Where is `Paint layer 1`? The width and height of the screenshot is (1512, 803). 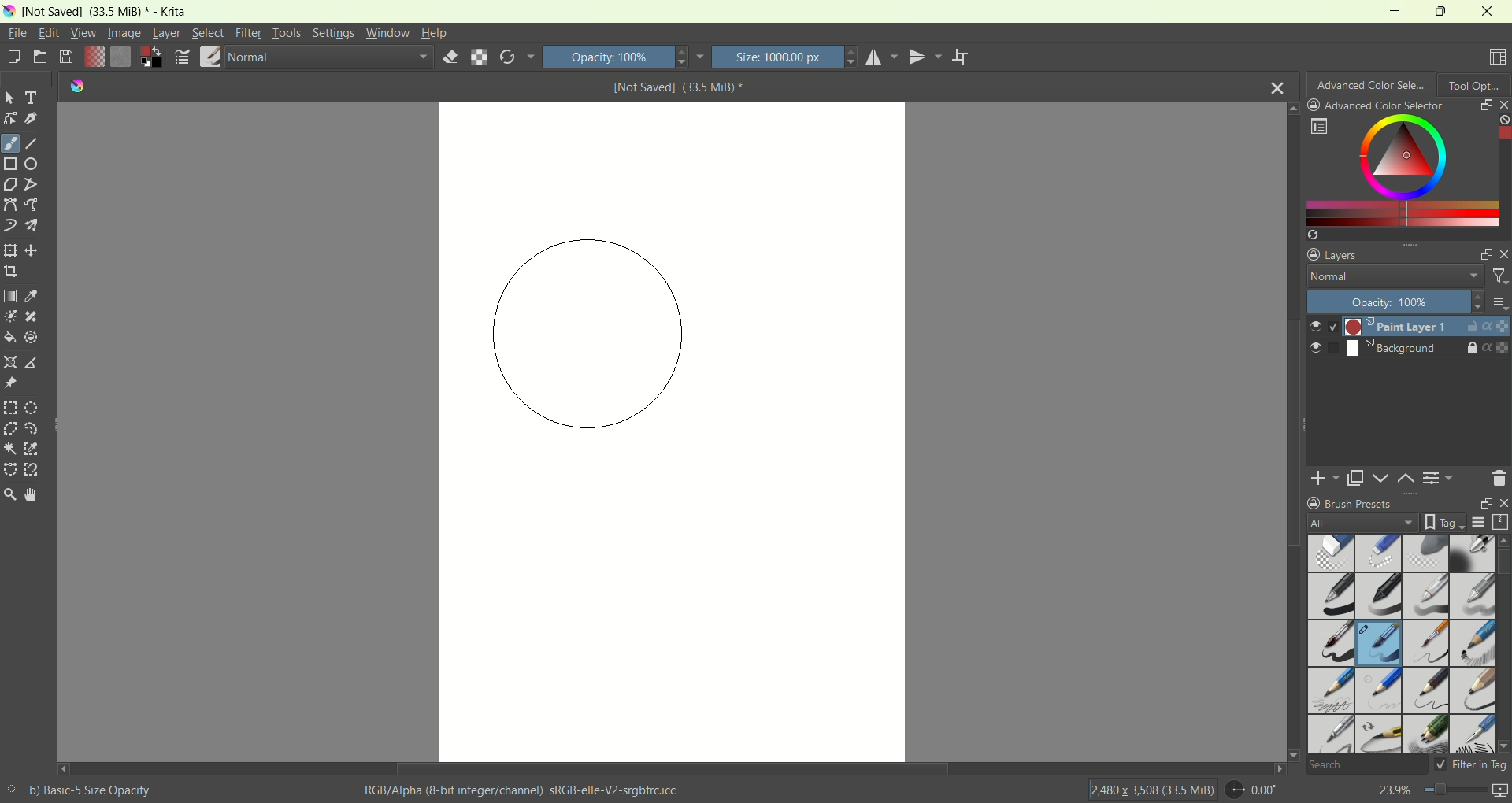
Paint layer 1 is located at coordinates (1378, 326).